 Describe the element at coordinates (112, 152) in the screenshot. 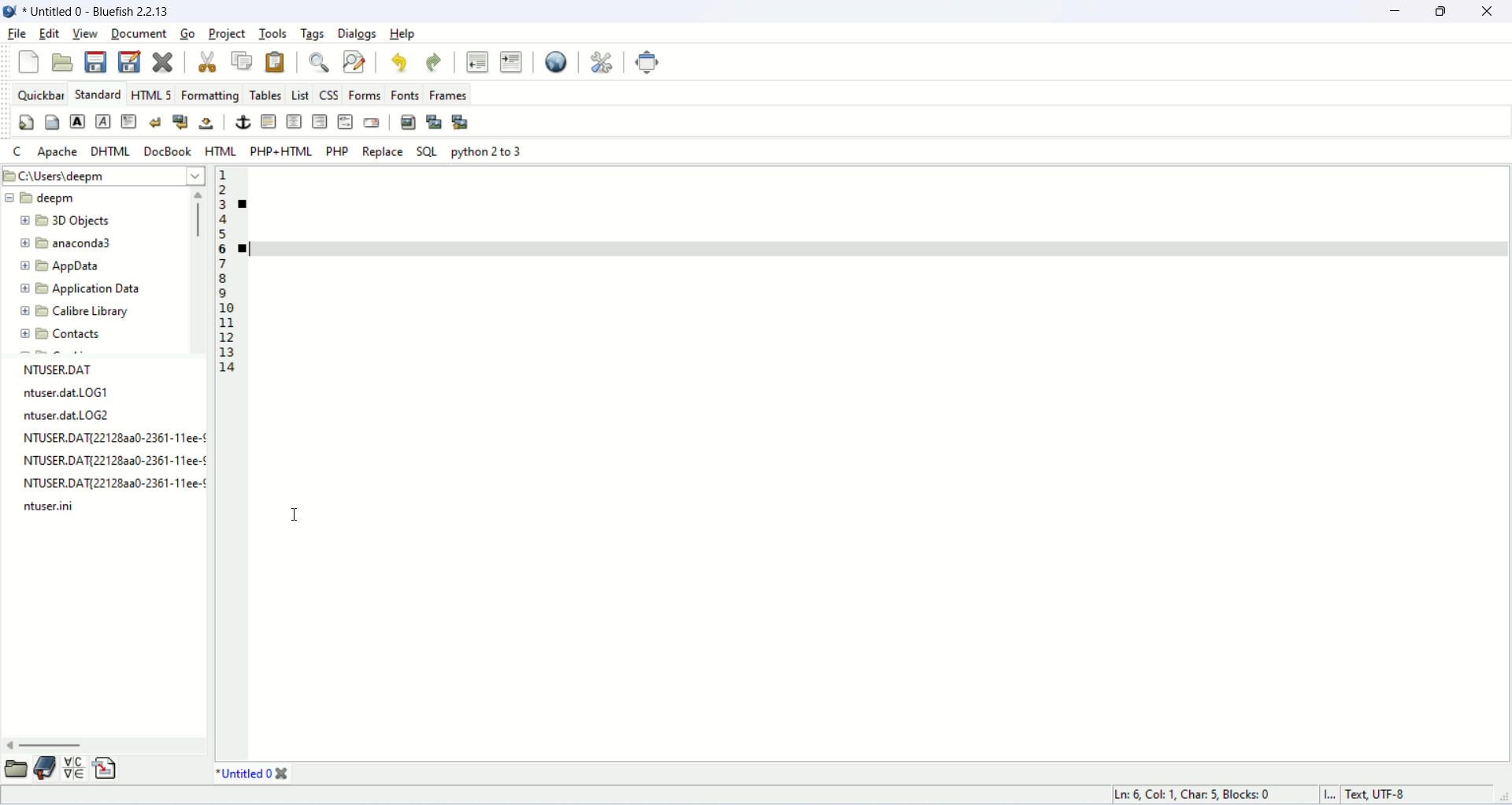

I see `DHTML` at that location.